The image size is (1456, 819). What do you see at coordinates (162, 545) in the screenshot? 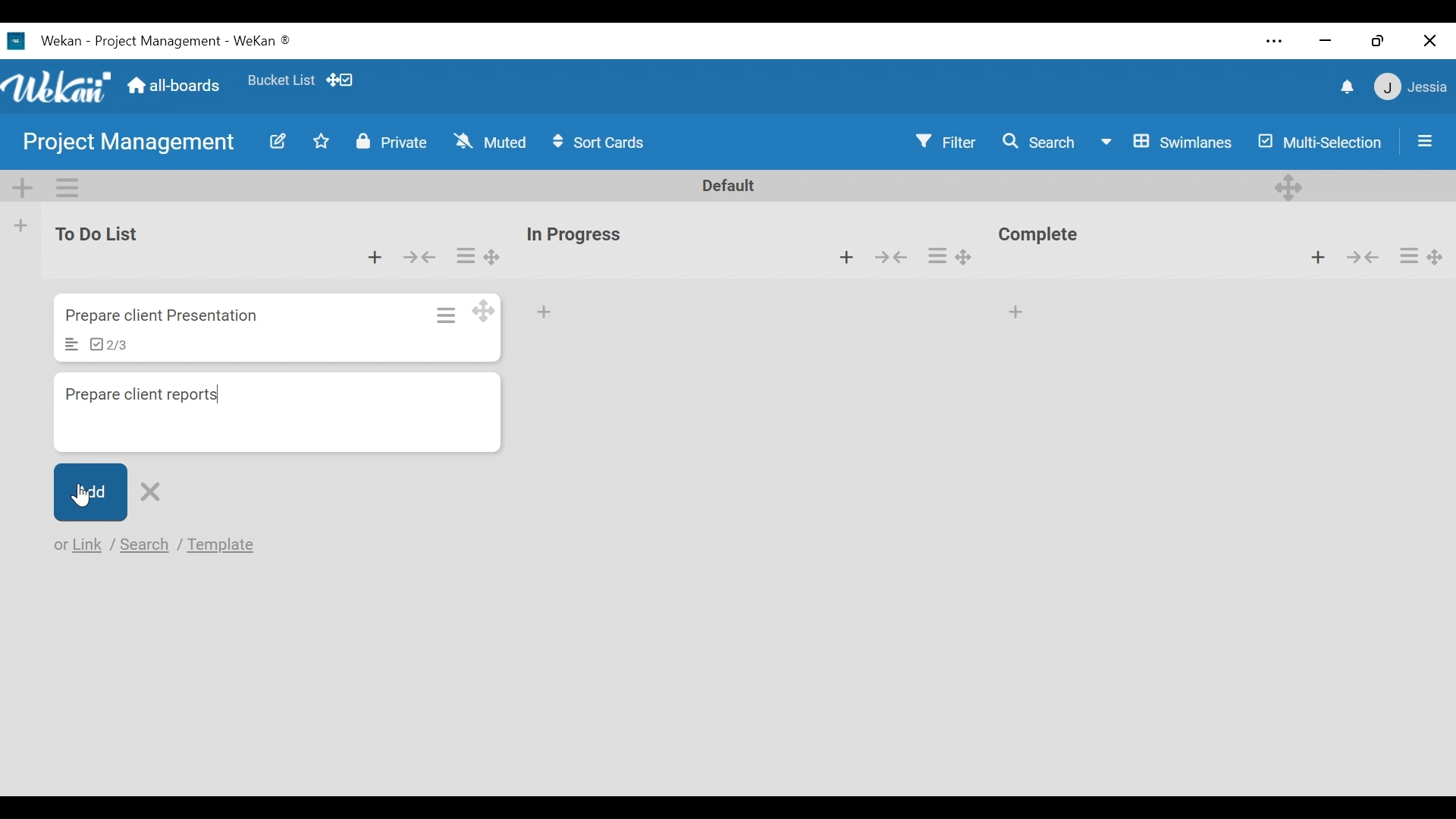
I see `or link / Search / Template` at bounding box center [162, 545].